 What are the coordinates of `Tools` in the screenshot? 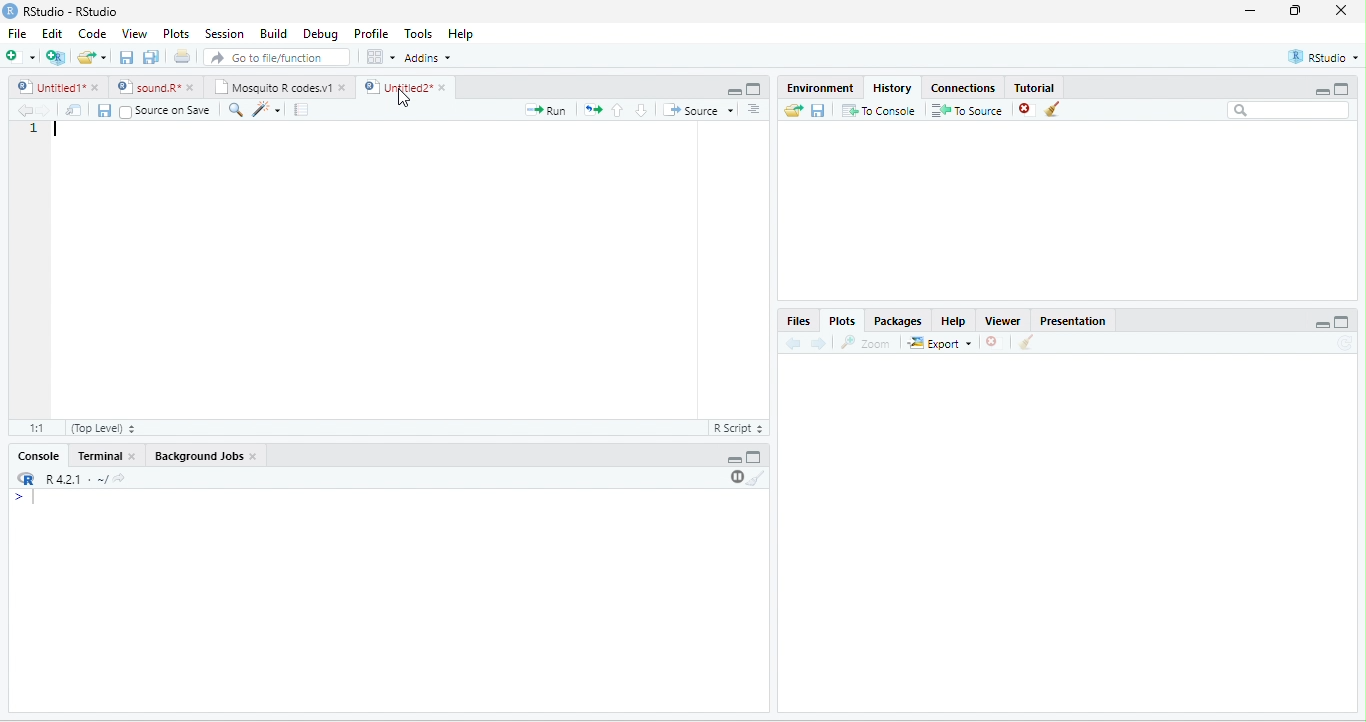 It's located at (420, 34).